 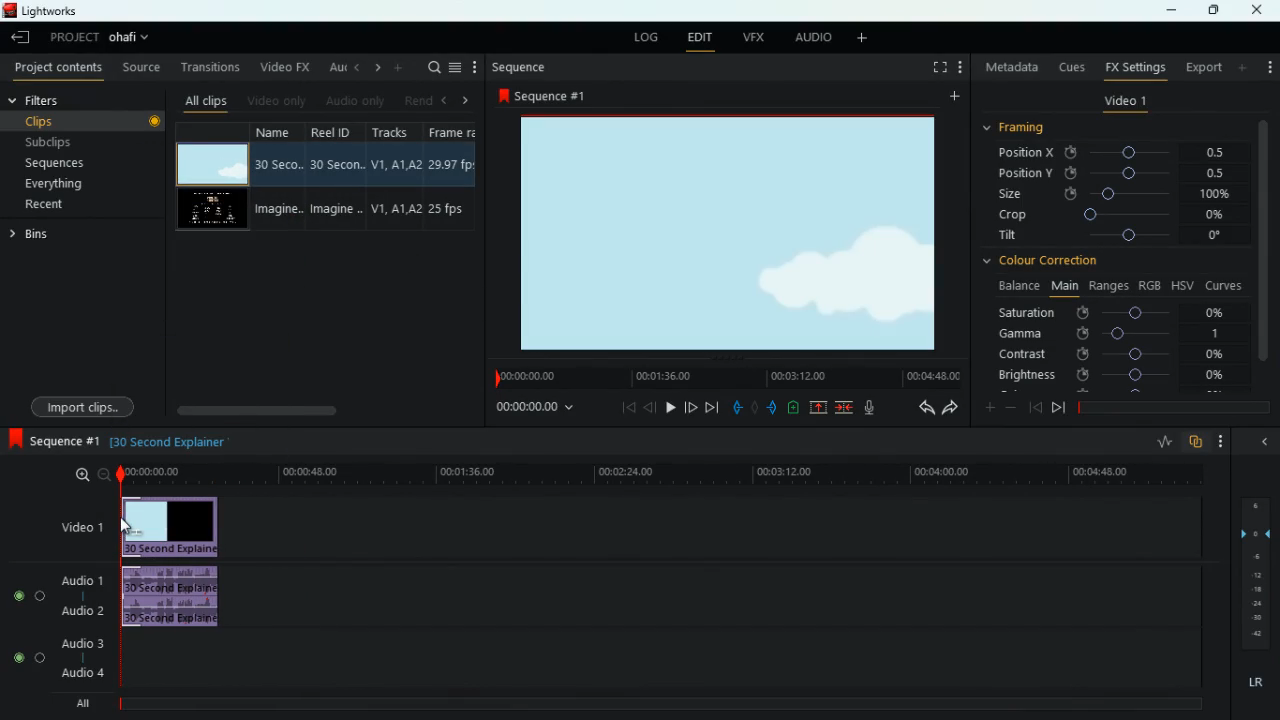 I want to click on audio 3, so click(x=77, y=642).